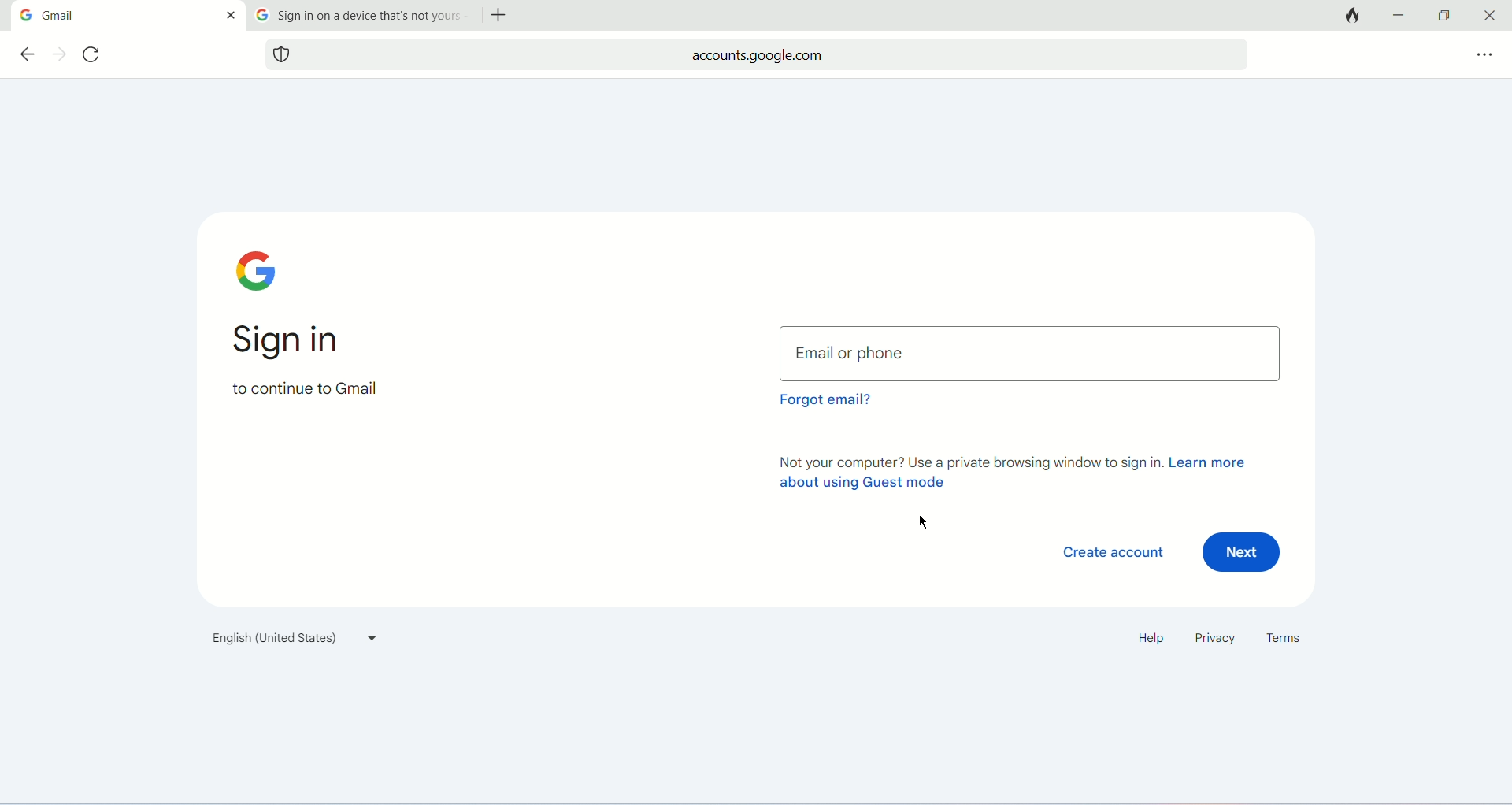  Describe the element at coordinates (230, 14) in the screenshot. I see `close` at that location.